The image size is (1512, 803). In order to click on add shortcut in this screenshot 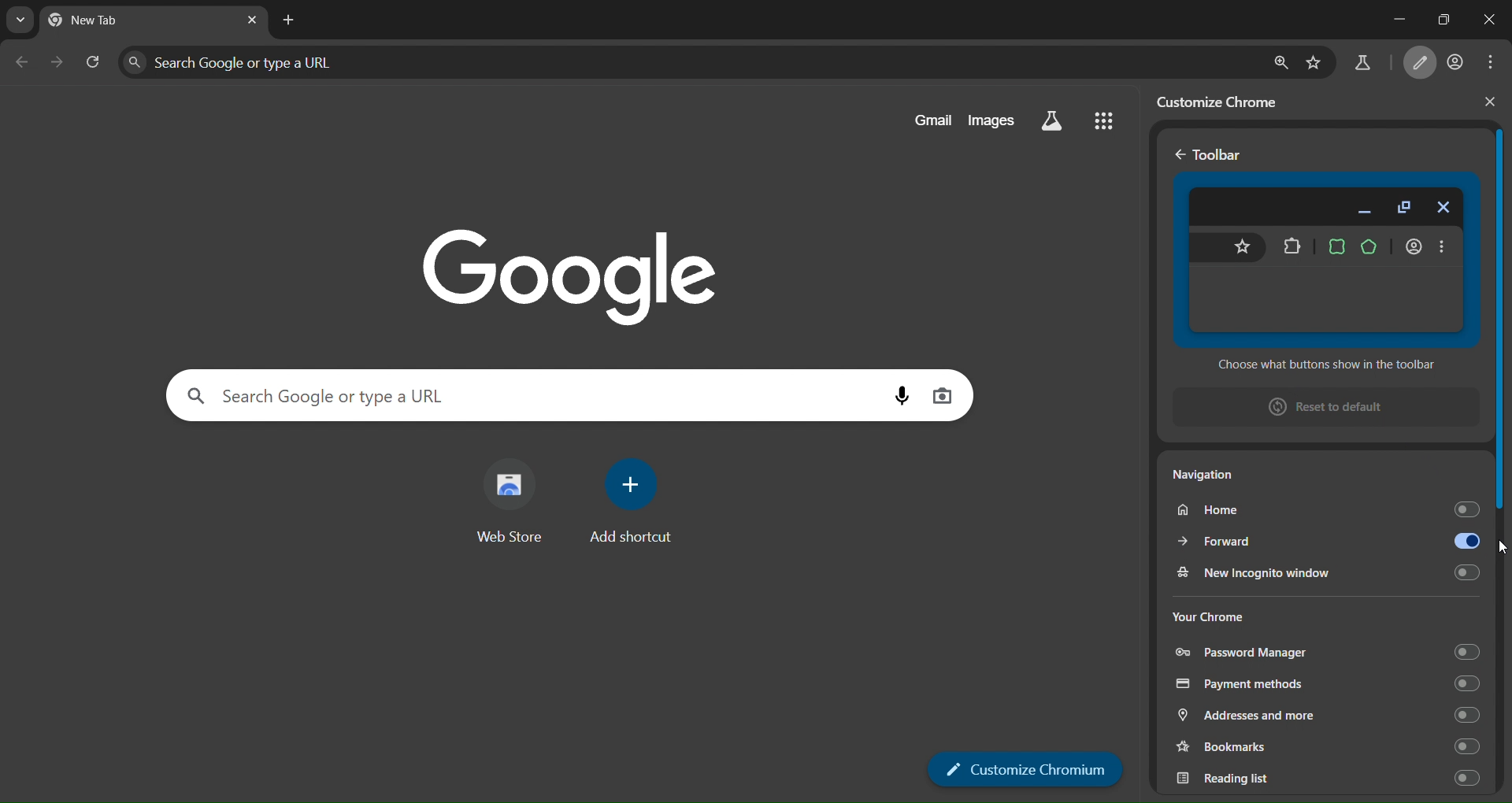, I will do `click(634, 501)`.